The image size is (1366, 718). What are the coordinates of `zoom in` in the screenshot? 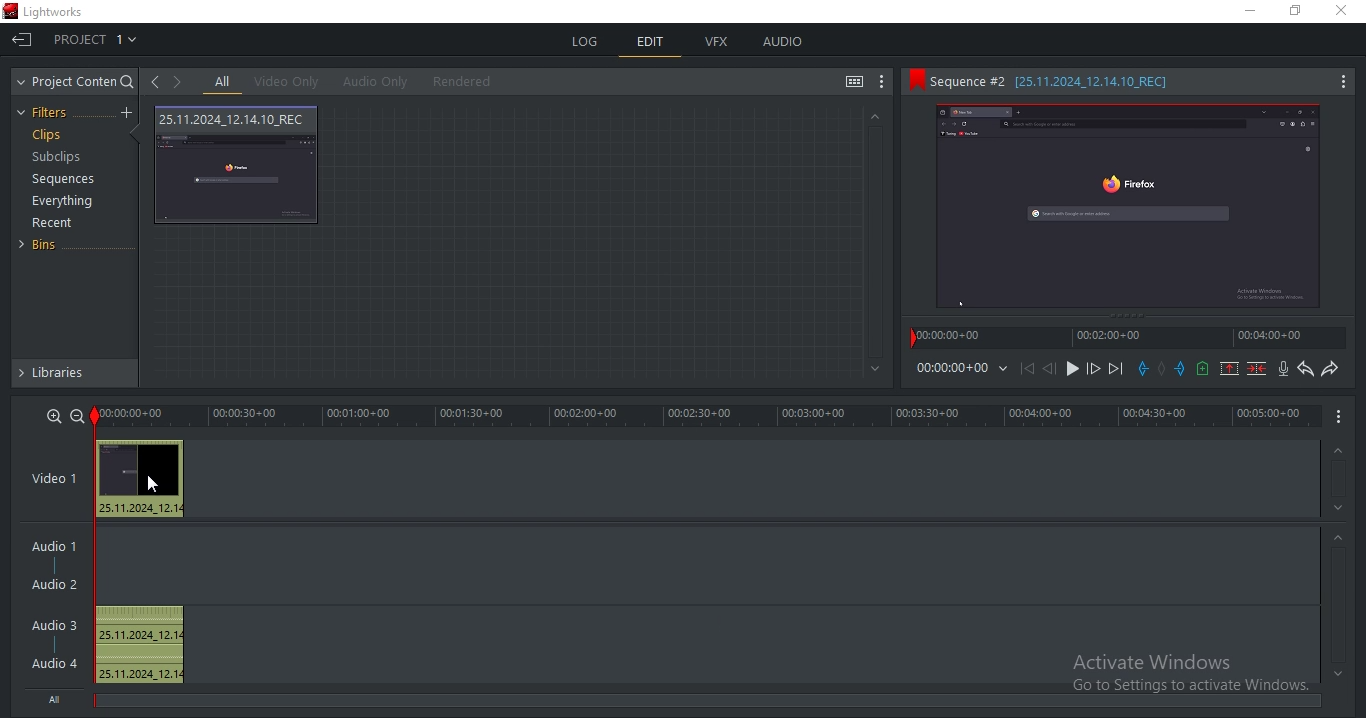 It's located at (52, 416).